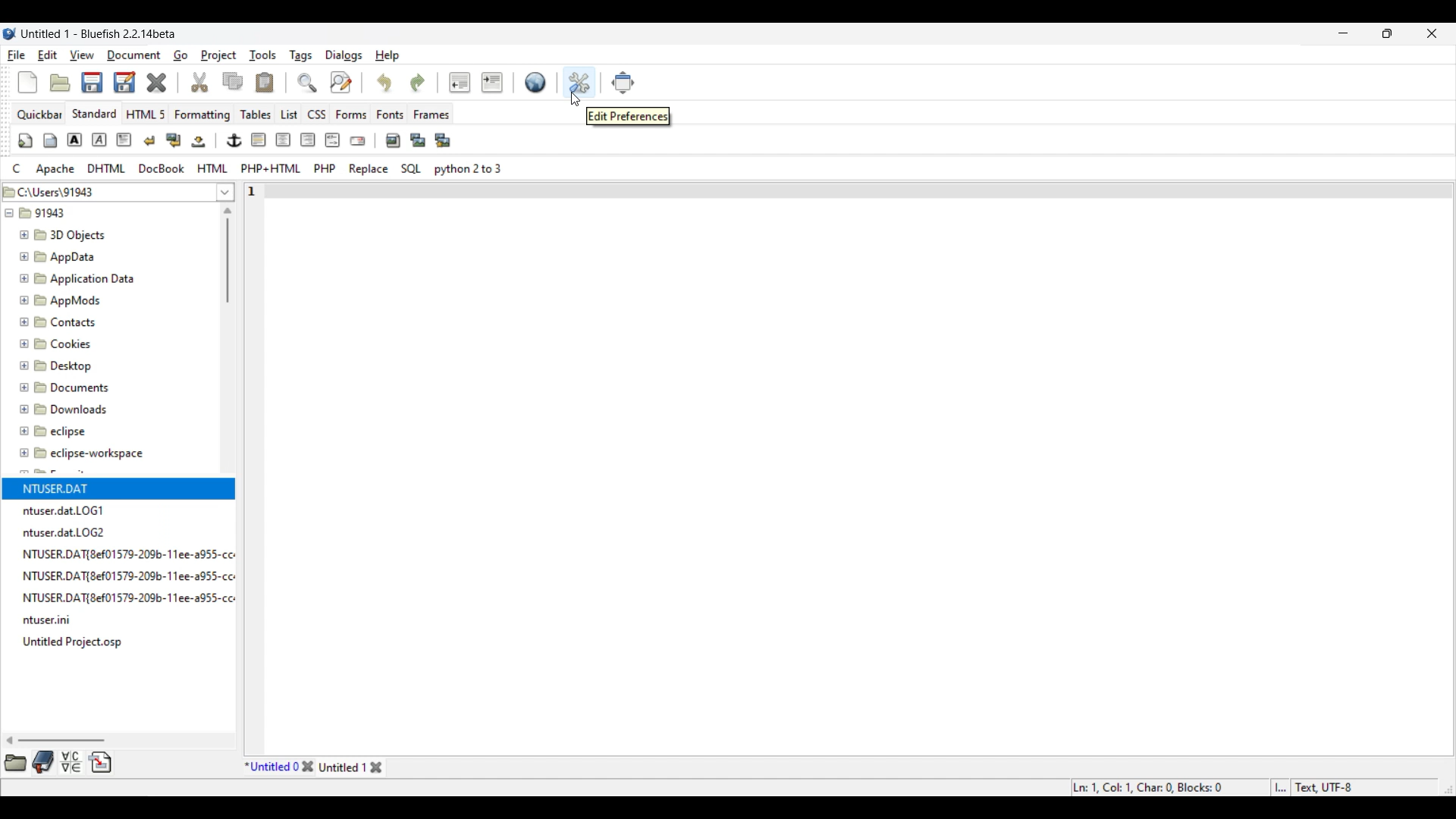 The image size is (1456, 819). Describe the element at coordinates (1214, 787) in the screenshot. I see `Status bar details` at that location.